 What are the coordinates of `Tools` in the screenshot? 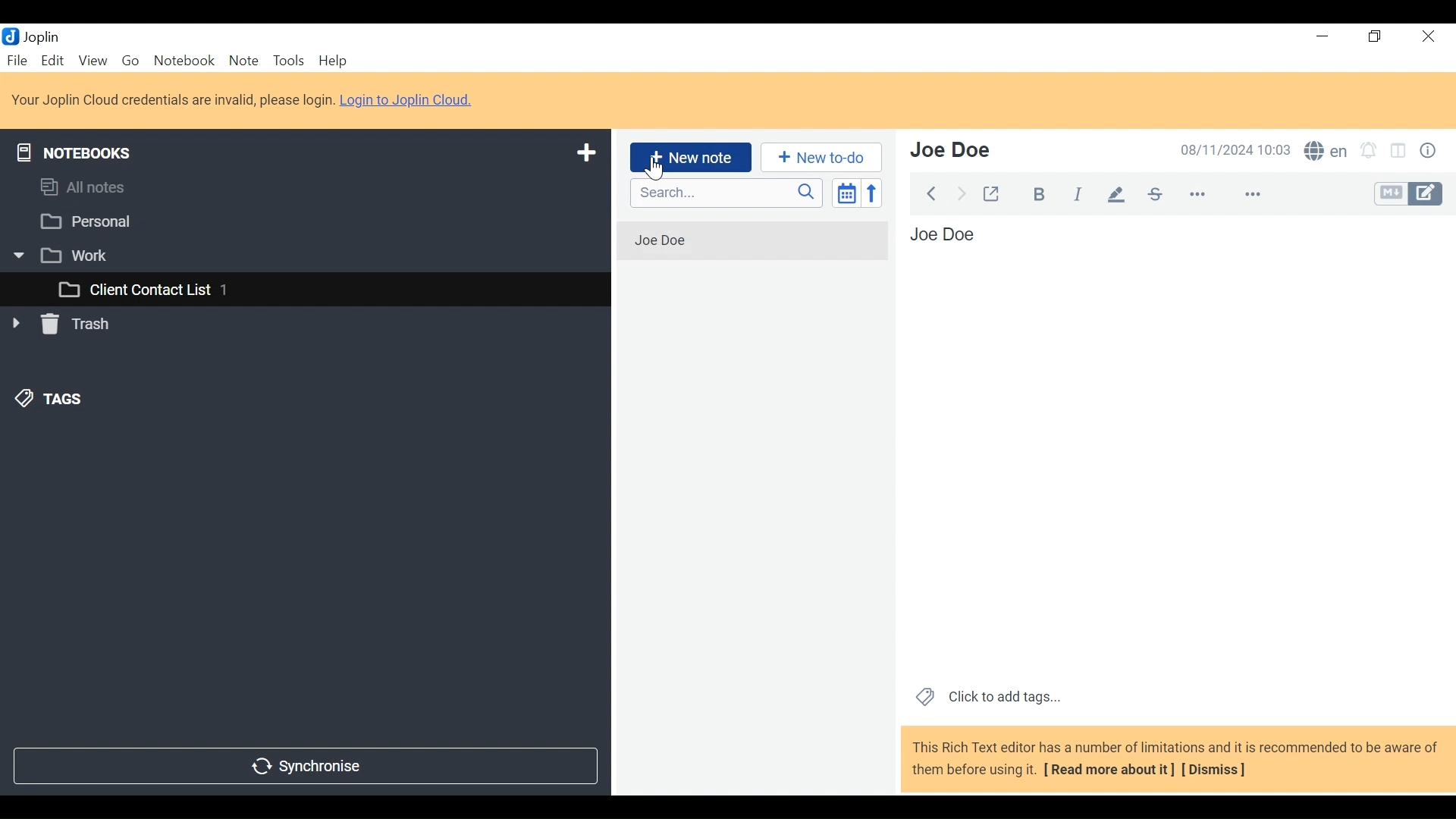 It's located at (287, 61).